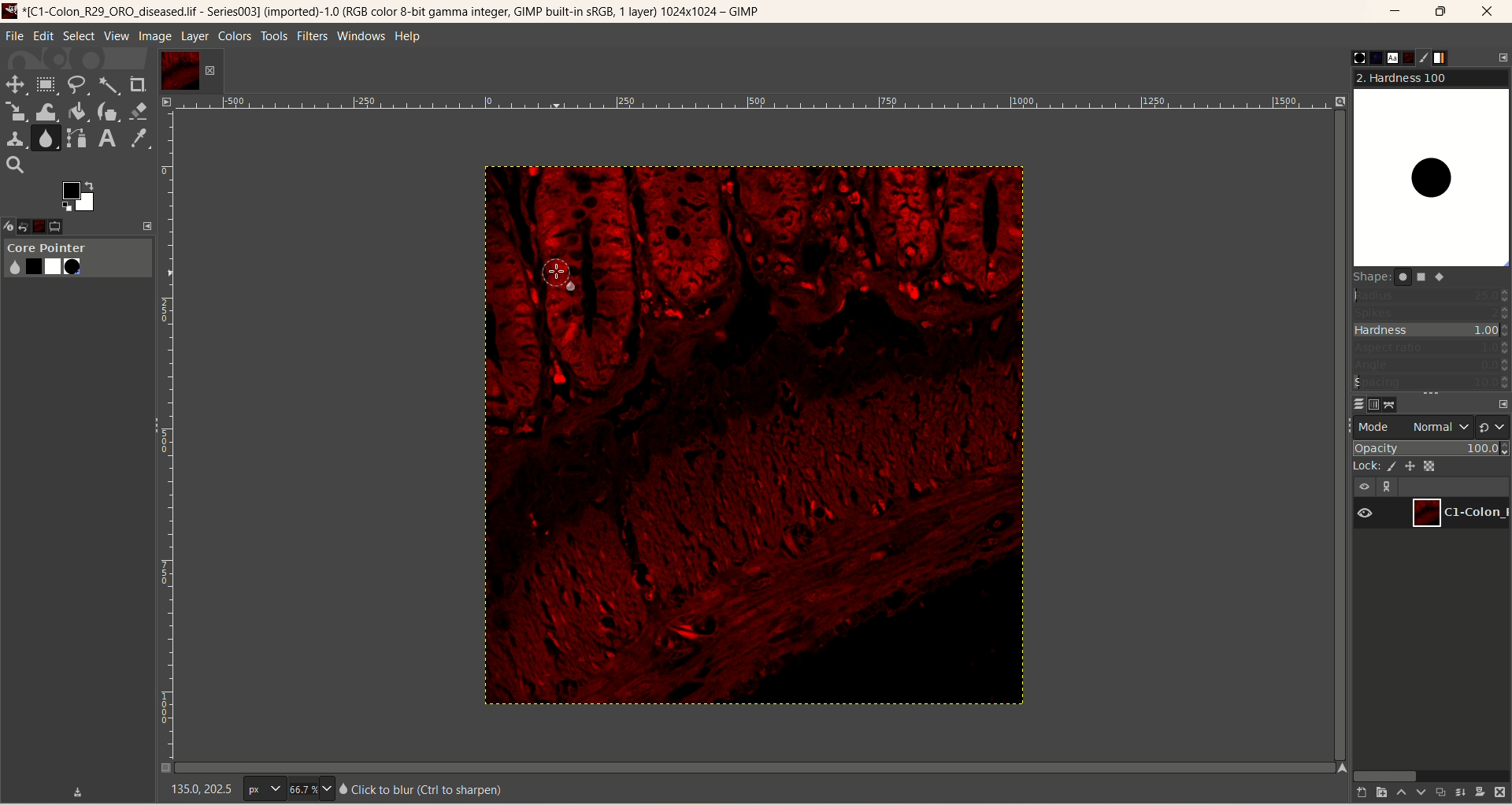  What do you see at coordinates (400, 13) in the screenshot?
I see `title` at bounding box center [400, 13].